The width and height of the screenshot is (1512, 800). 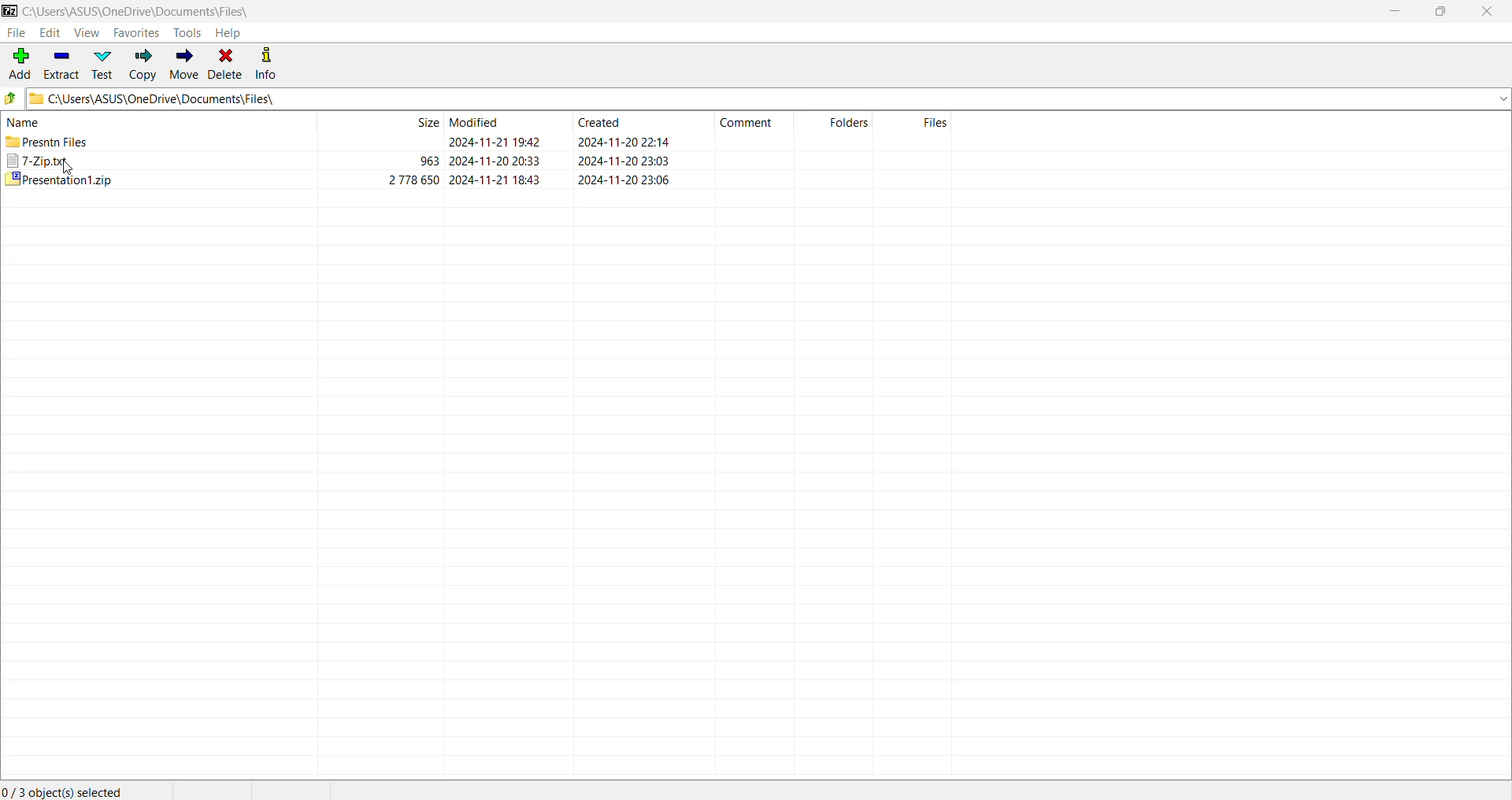 What do you see at coordinates (1442, 12) in the screenshot?
I see `Restore Down` at bounding box center [1442, 12].